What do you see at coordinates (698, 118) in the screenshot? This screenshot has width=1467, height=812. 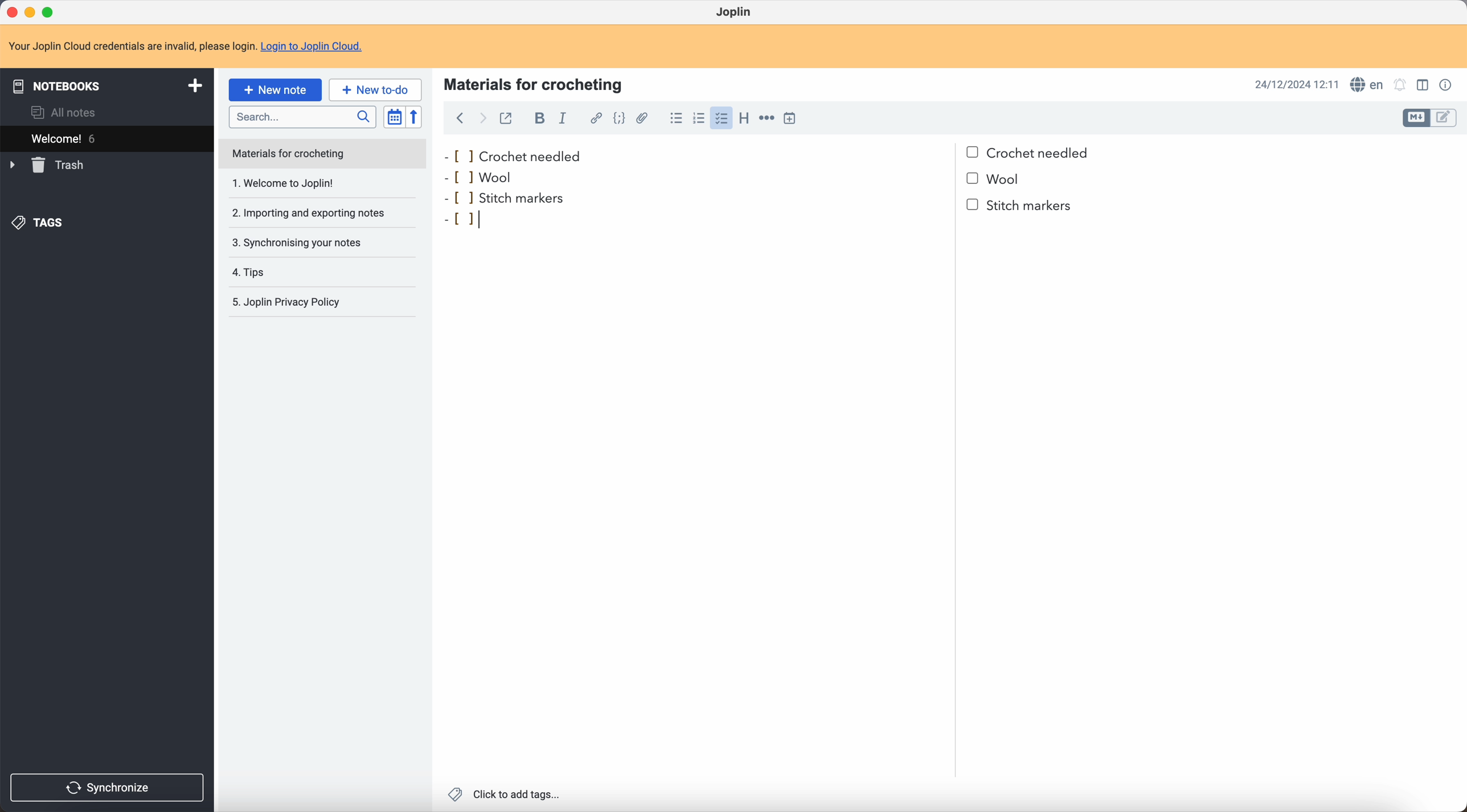 I see `numbered list` at bounding box center [698, 118].